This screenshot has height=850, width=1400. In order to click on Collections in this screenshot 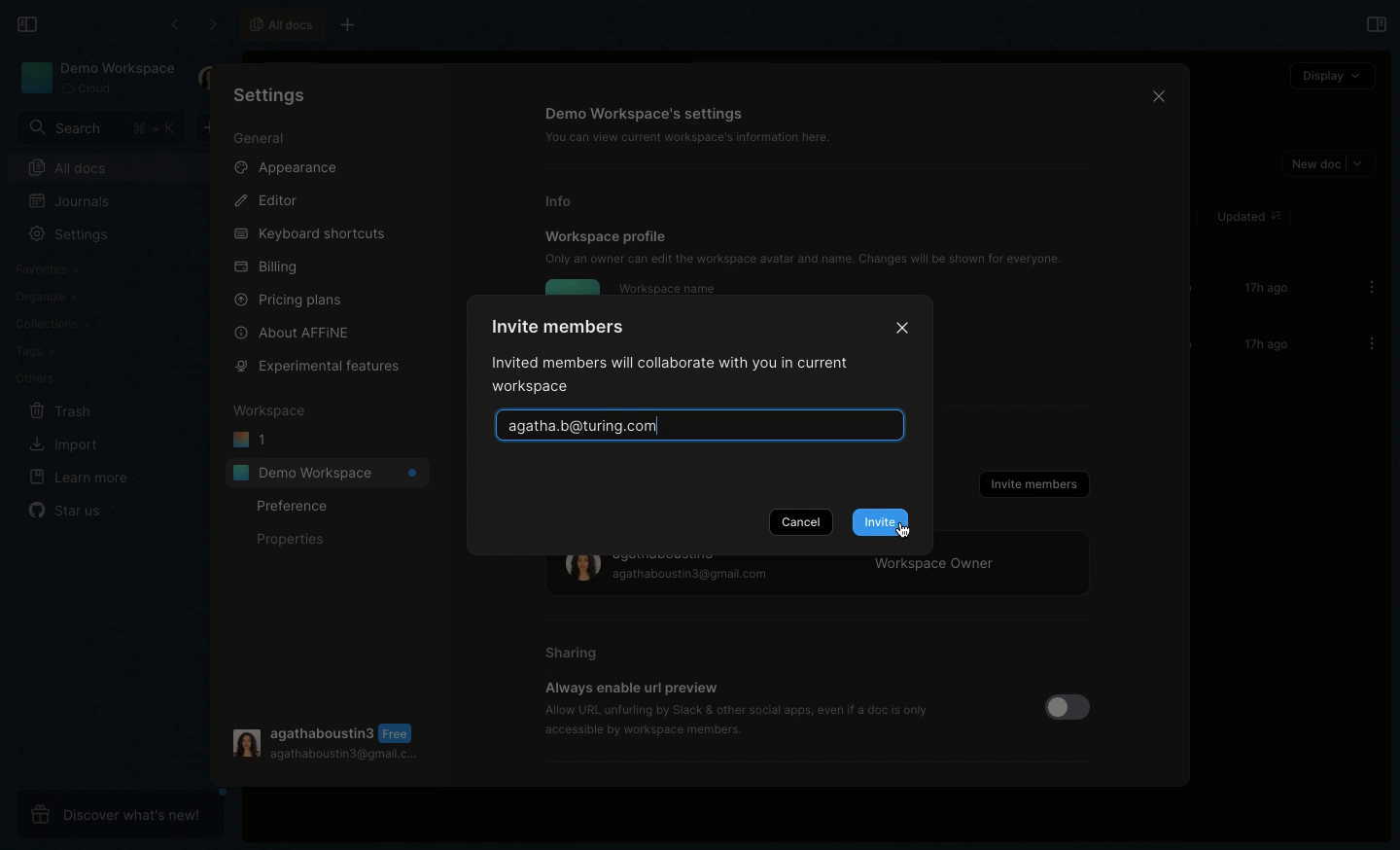, I will do `click(52, 322)`.